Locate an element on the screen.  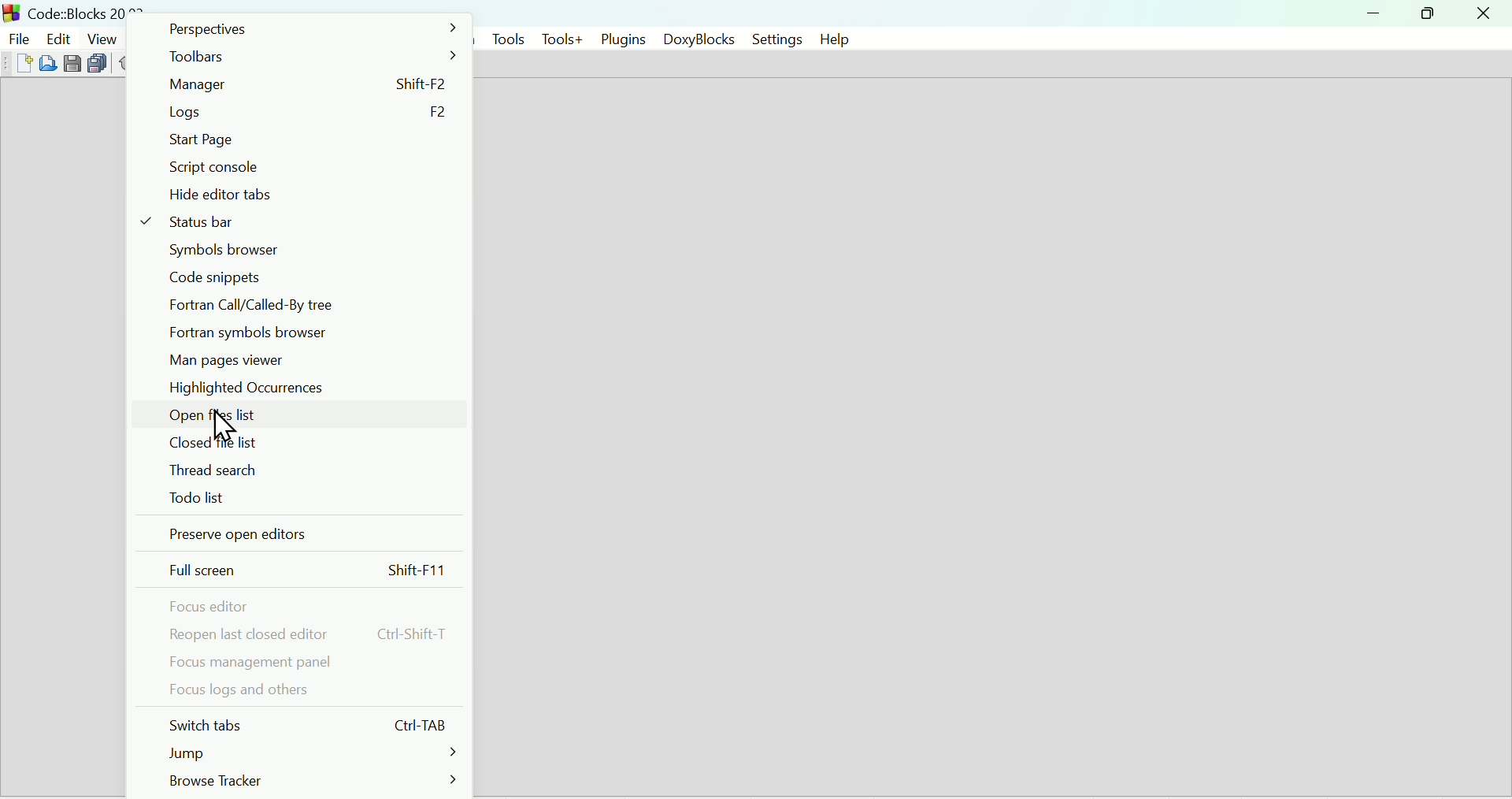
Plugins is located at coordinates (623, 37).